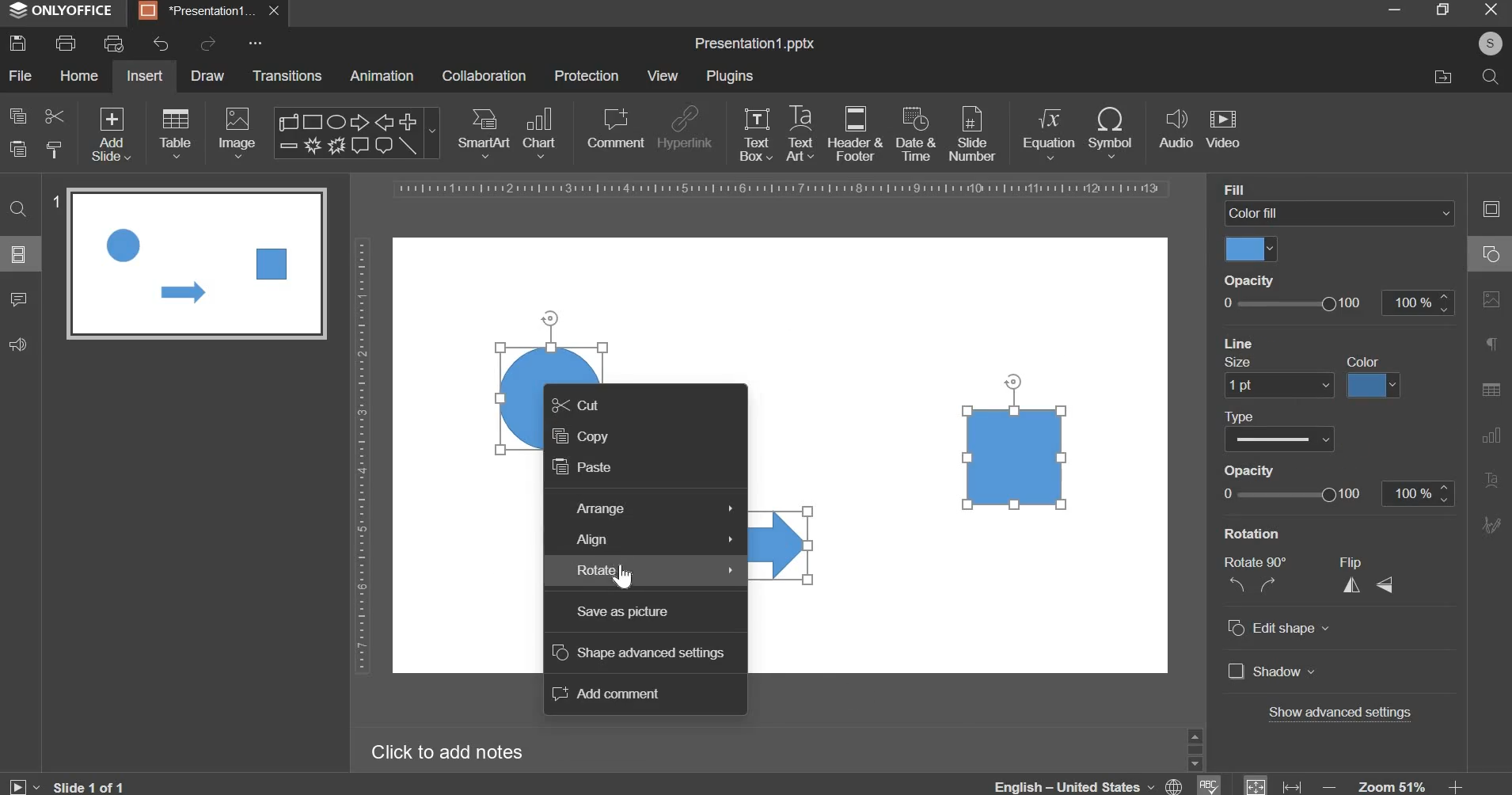 The width and height of the screenshot is (1512, 795). I want to click on fit to width, so click(1294, 786).